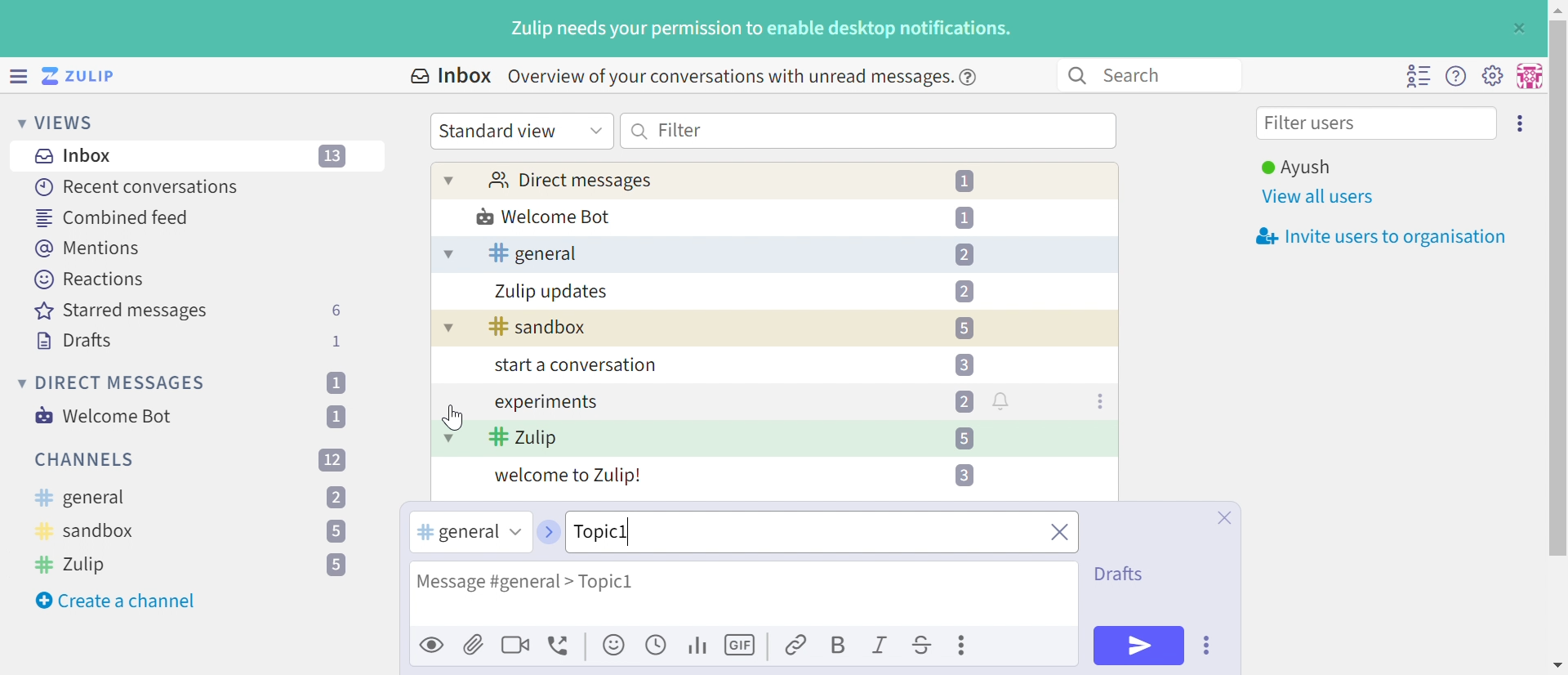  What do you see at coordinates (923, 647) in the screenshot?
I see `Strikethrough` at bounding box center [923, 647].